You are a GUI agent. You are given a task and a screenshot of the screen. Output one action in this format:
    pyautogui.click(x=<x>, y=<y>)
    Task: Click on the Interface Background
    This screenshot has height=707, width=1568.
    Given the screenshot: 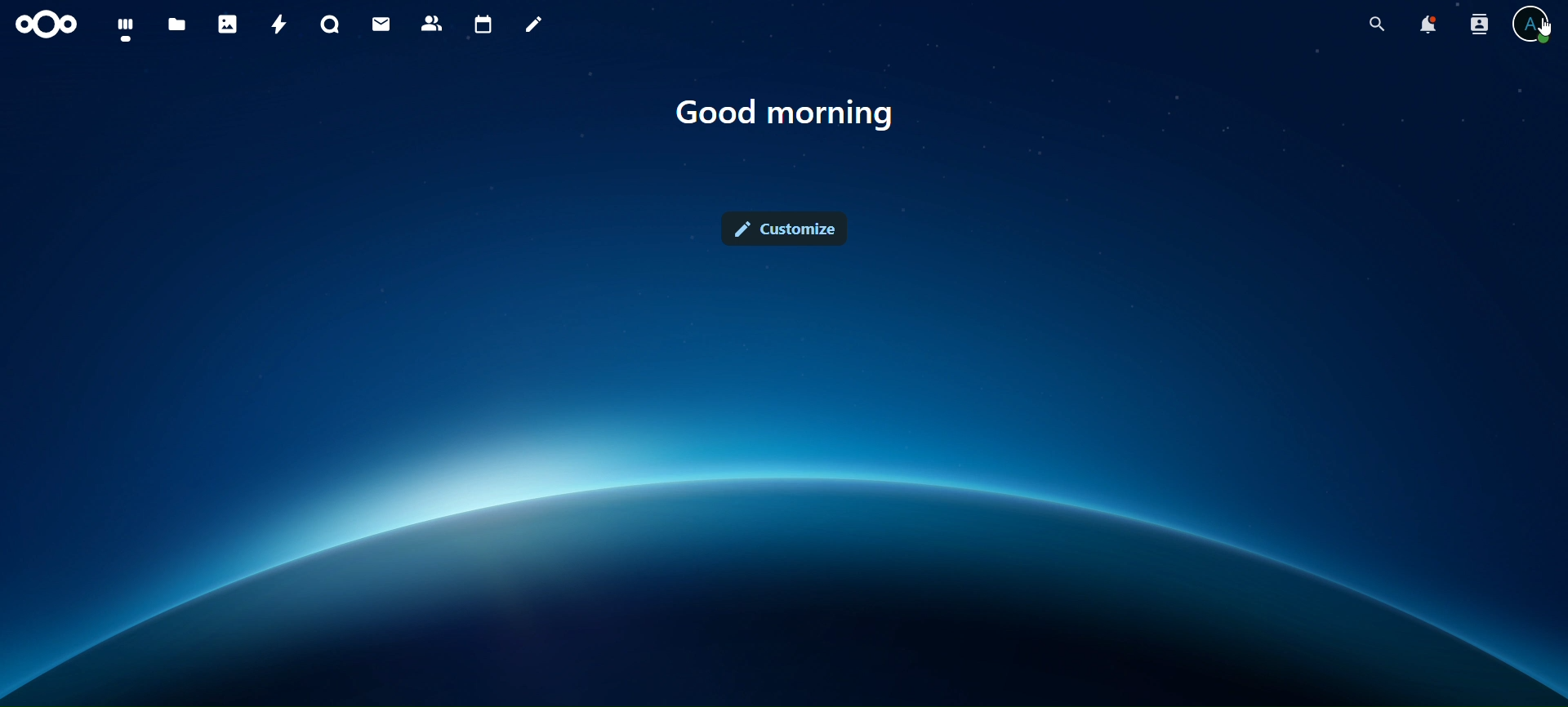 What is the action you would take?
    pyautogui.click(x=784, y=482)
    